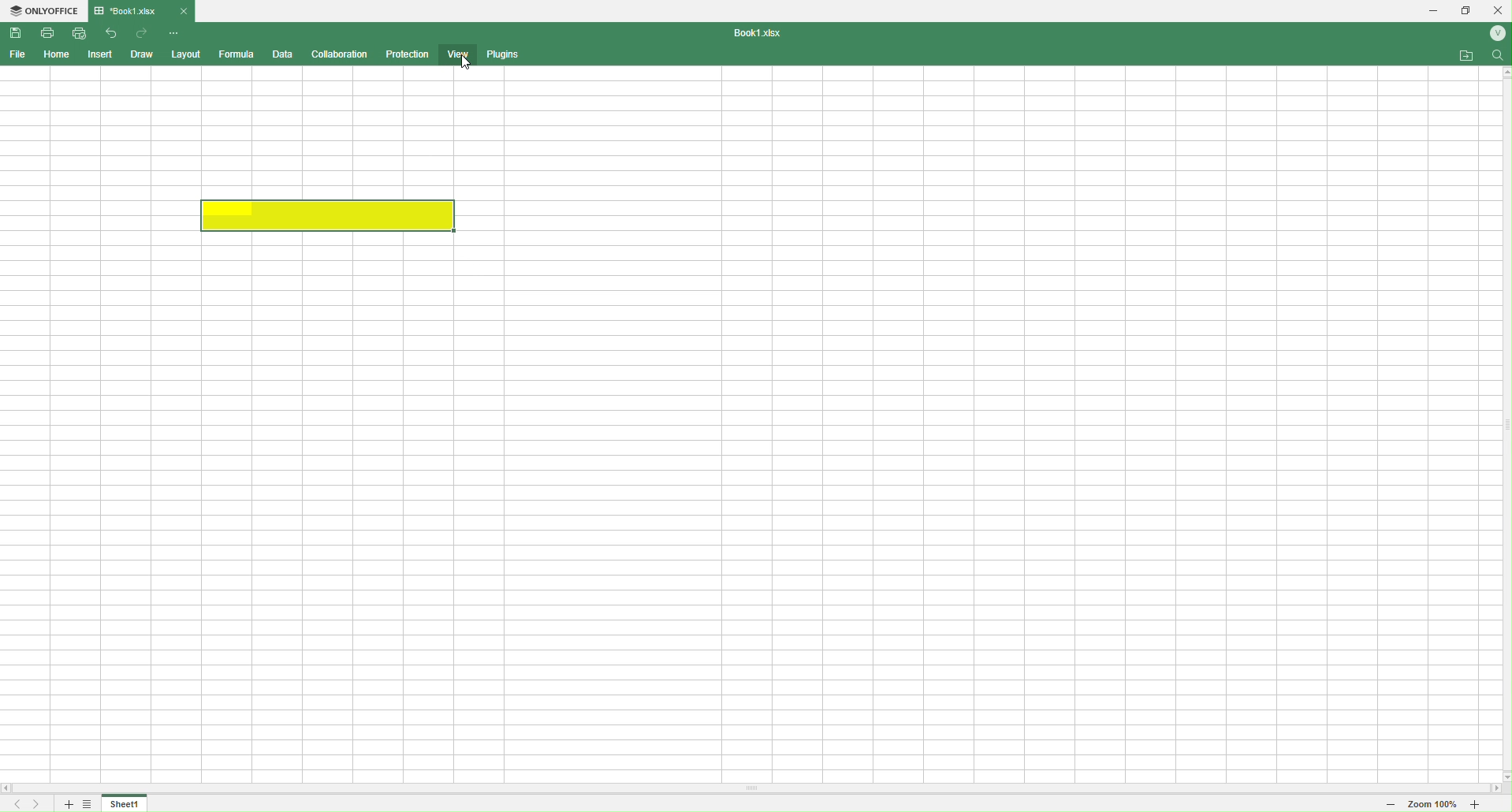 The width and height of the screenshot is (1512, 812). What do you see at coordinates (457, 56) in the screenshot?
I see `View` at bounding box center [457, 56].